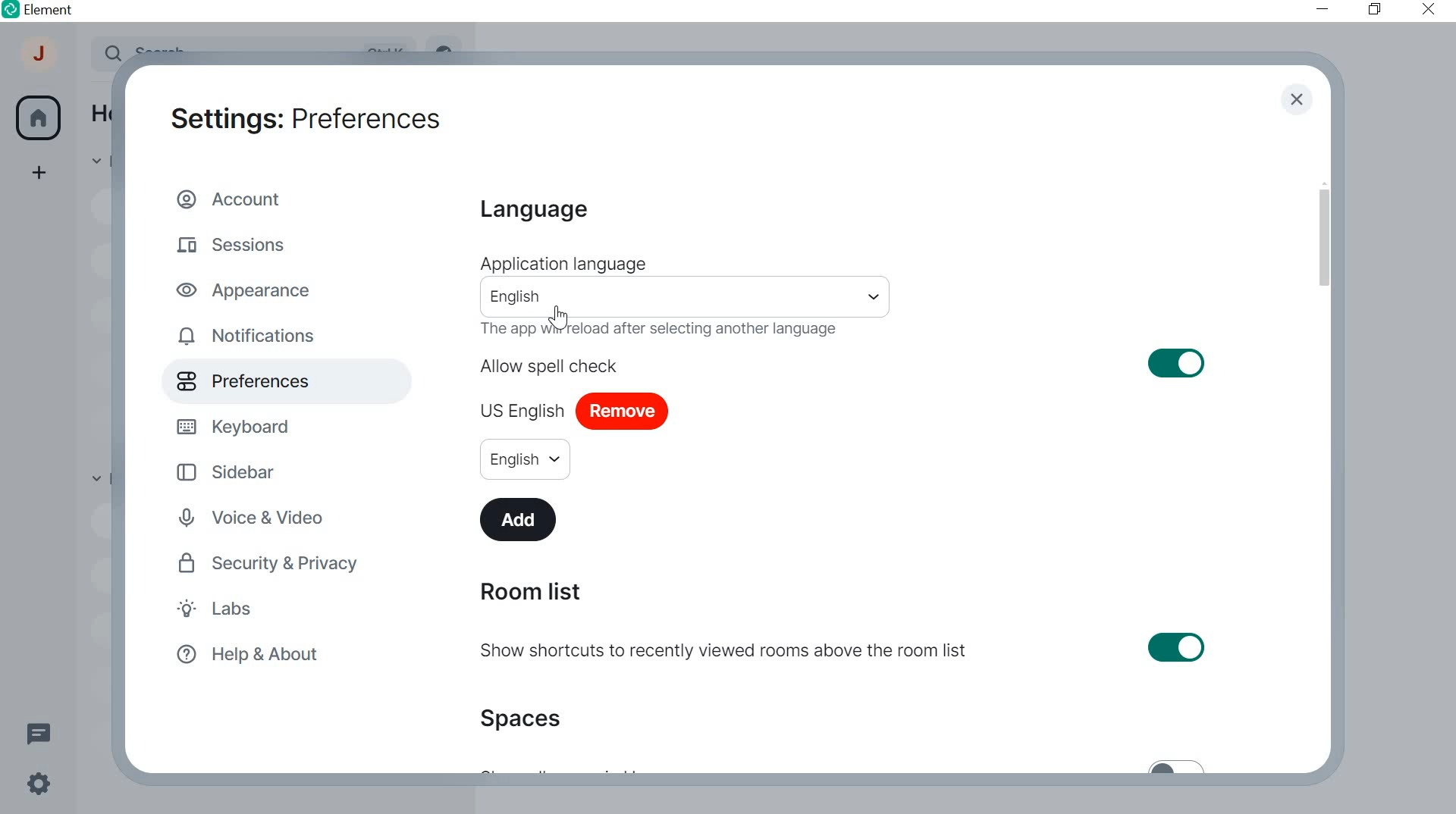  What do you see at coordinates (237, 242) in the screenshot?
I see `SESSIONS` at bounding box center [237, 242].